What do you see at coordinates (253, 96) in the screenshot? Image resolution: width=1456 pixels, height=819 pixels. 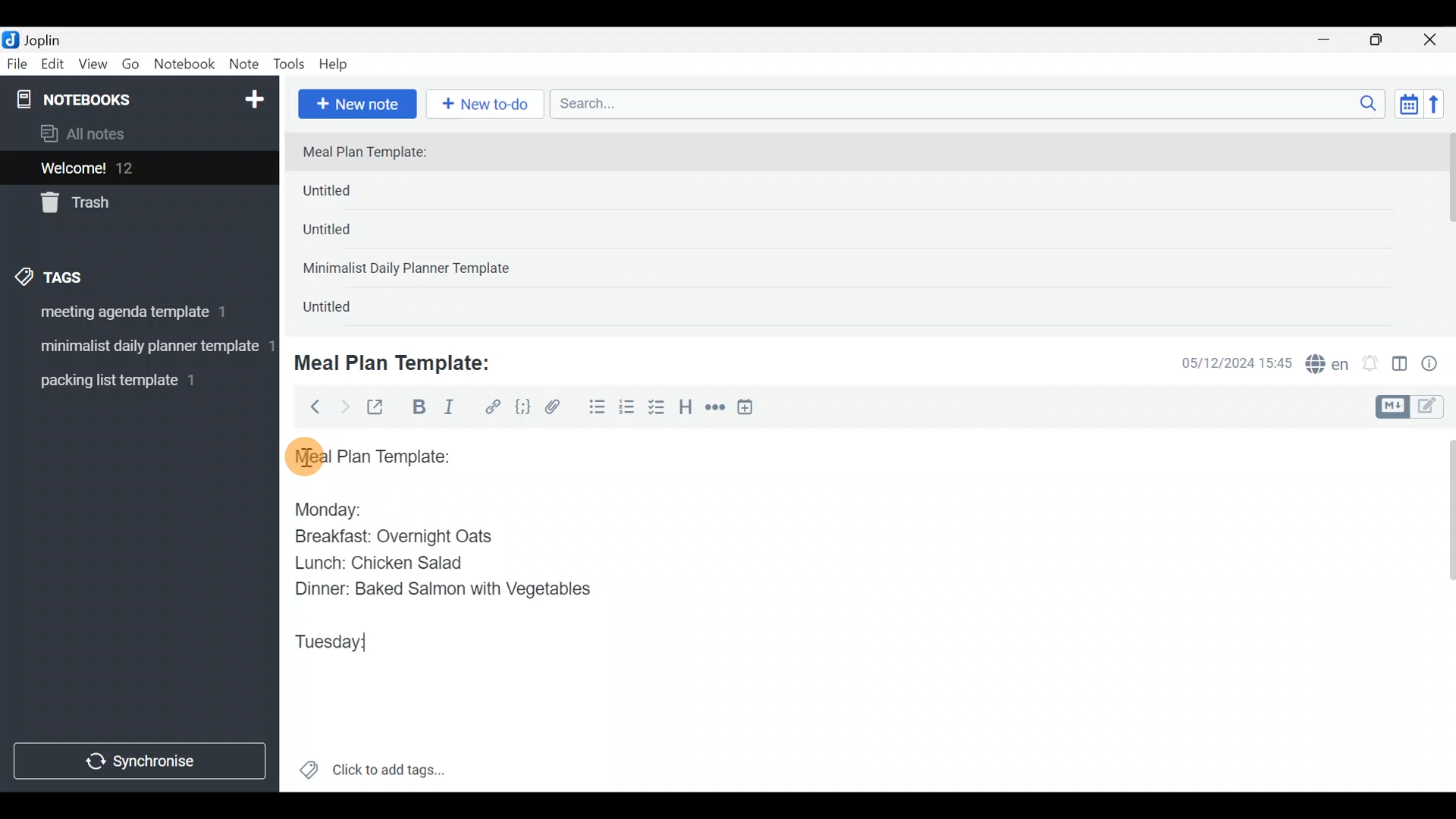 I see `New` at bounding box center [253, 96].